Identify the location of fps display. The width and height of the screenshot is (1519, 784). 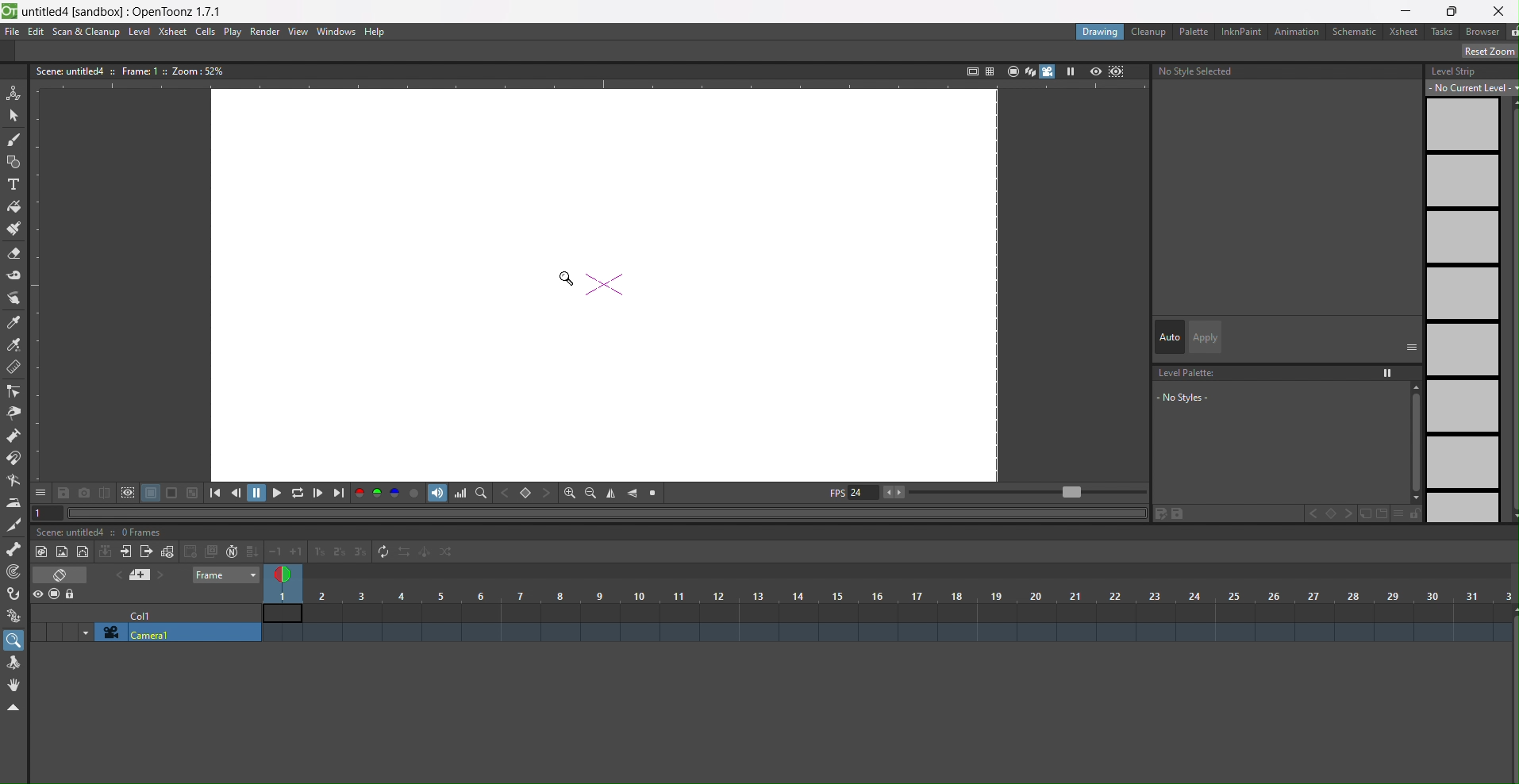
(852, 496).